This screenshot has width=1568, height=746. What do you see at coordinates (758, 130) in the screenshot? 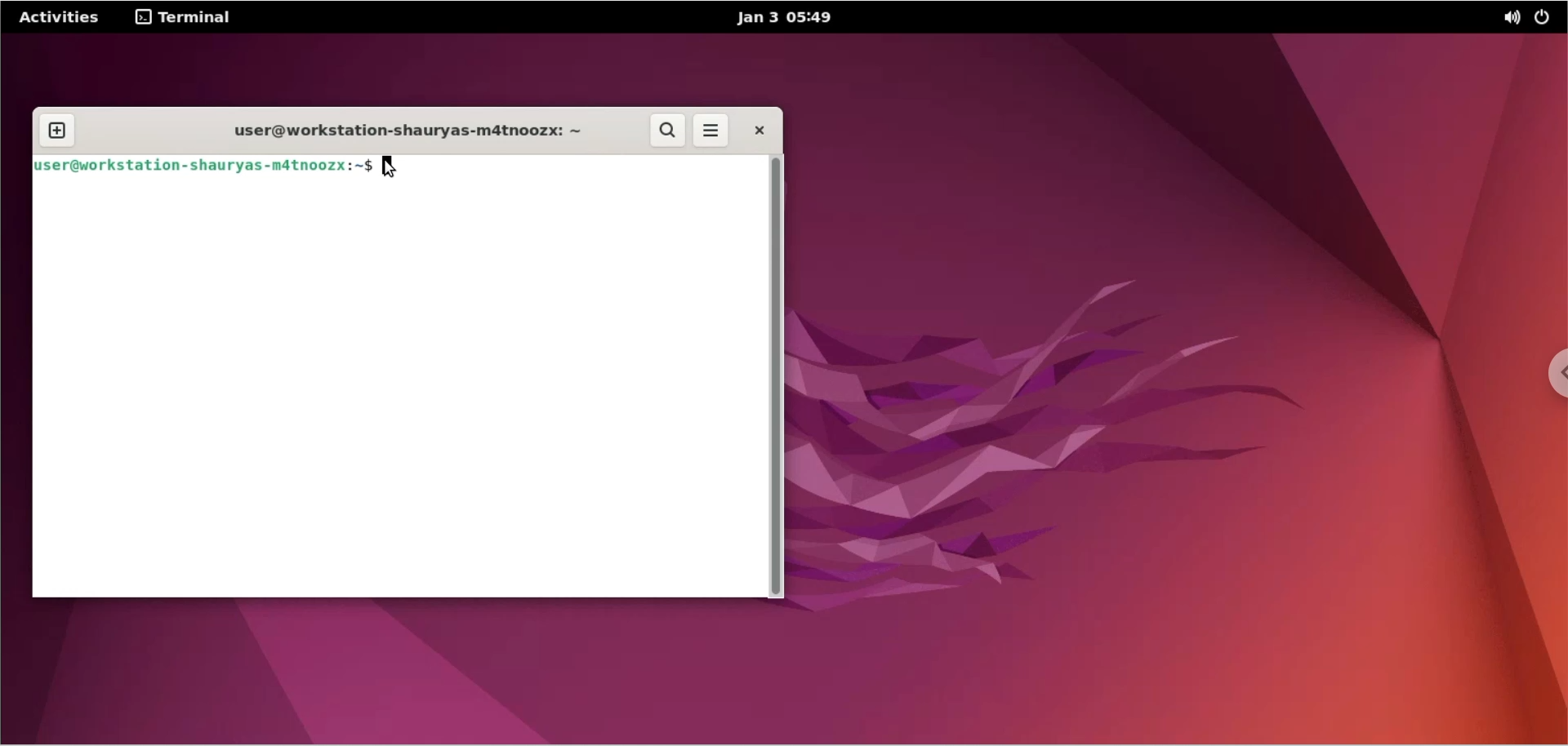
I see `close` at bounding box center [758, 130].